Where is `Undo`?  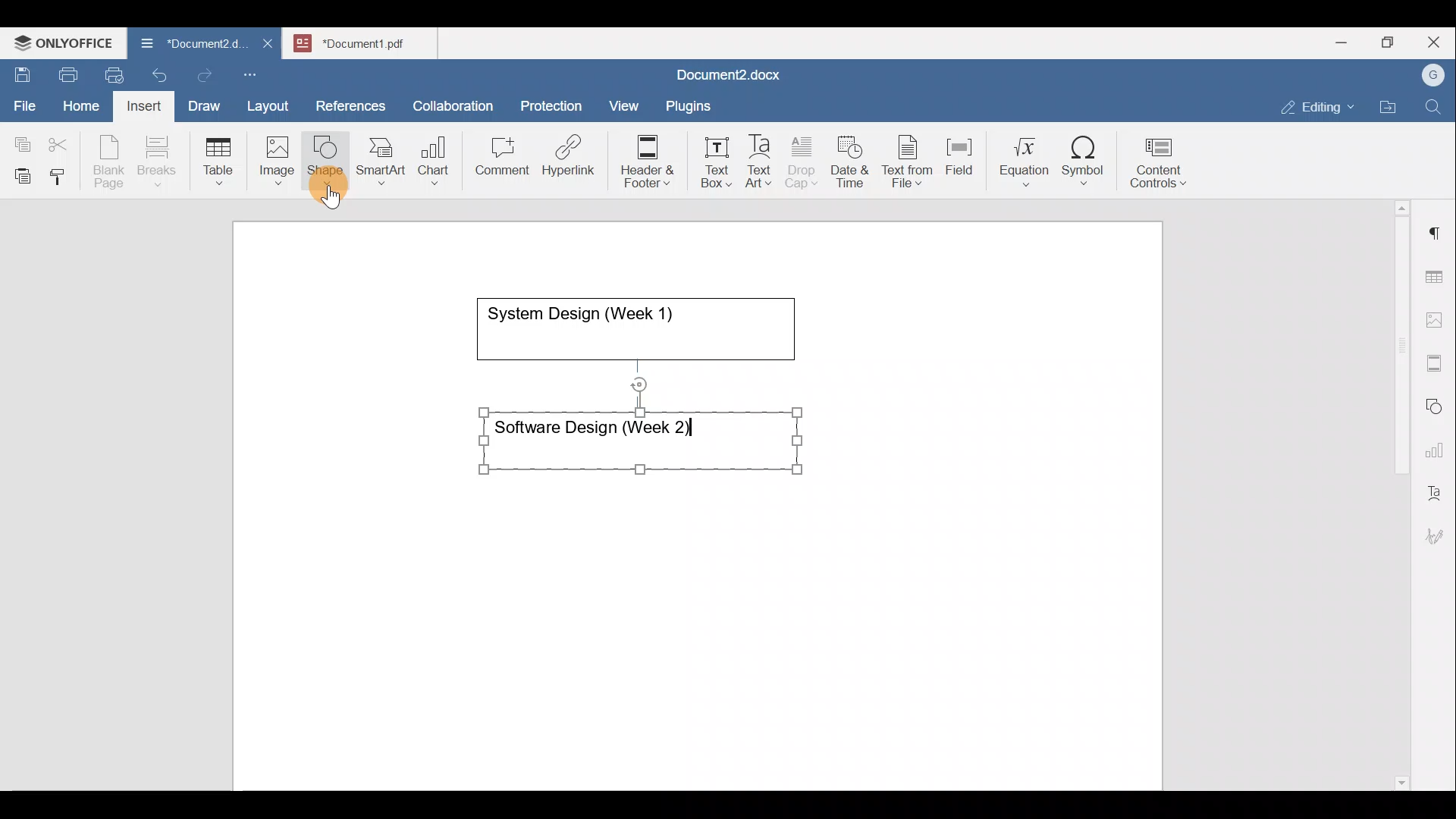
Undo is located at coordinates (156, 73).